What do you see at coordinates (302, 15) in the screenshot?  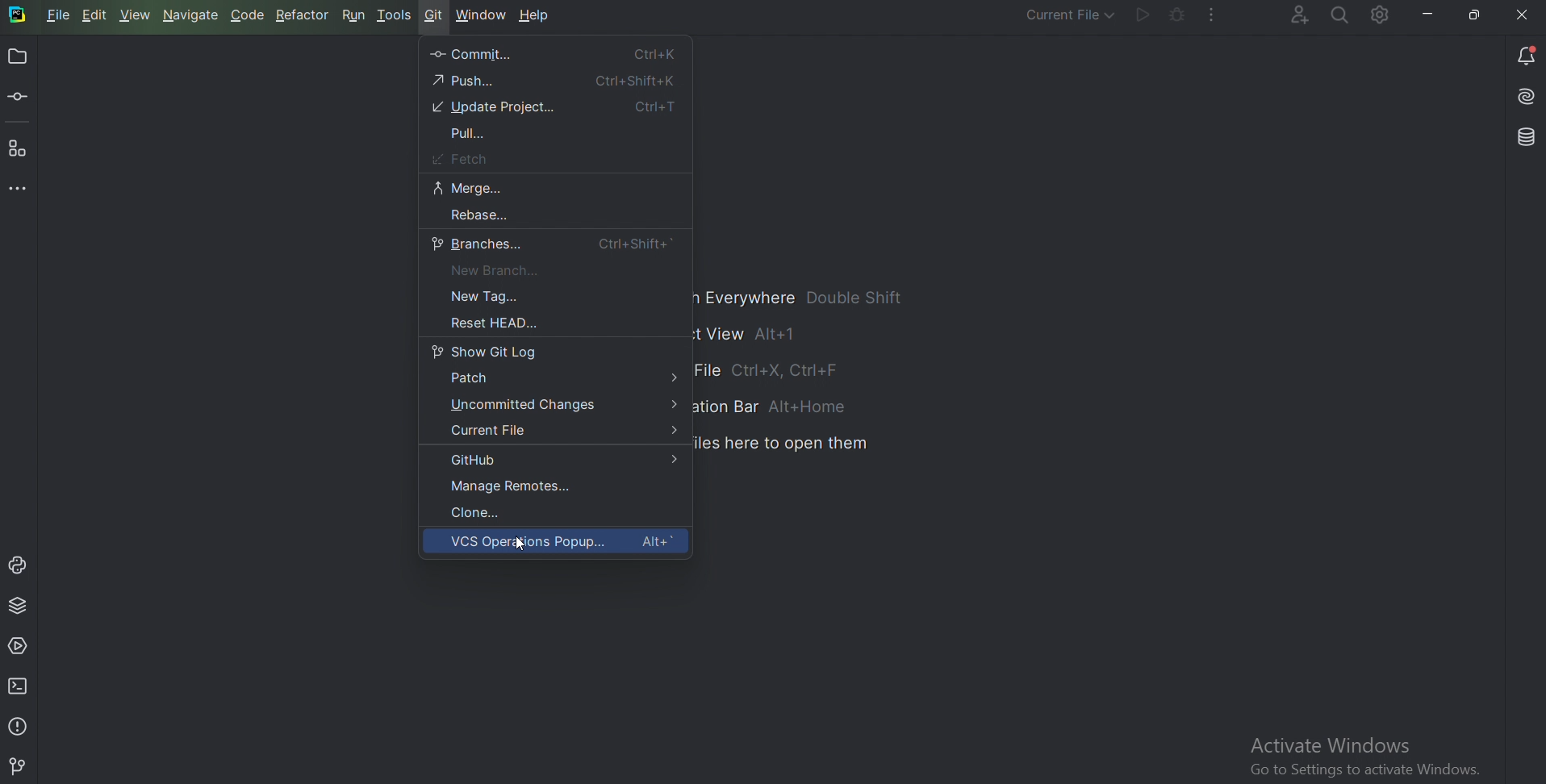 I see `Refactor` at bounding box center [302, 15].